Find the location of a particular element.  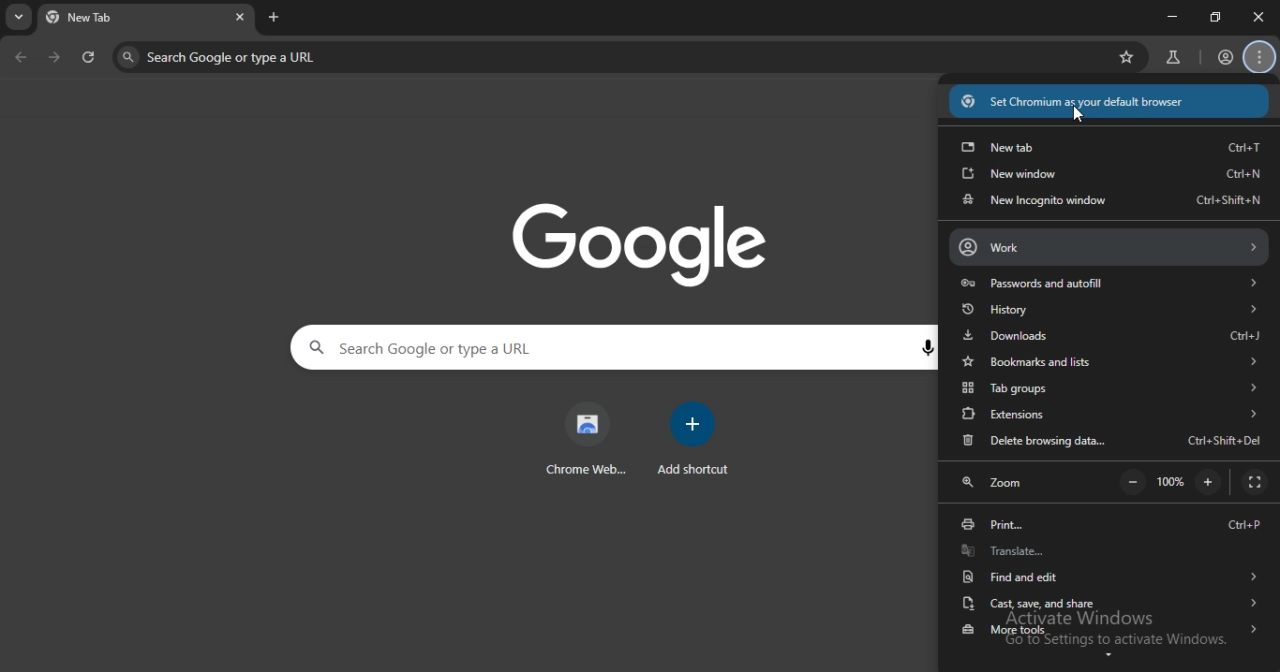

extensions is located at coordinates (1109, 415).